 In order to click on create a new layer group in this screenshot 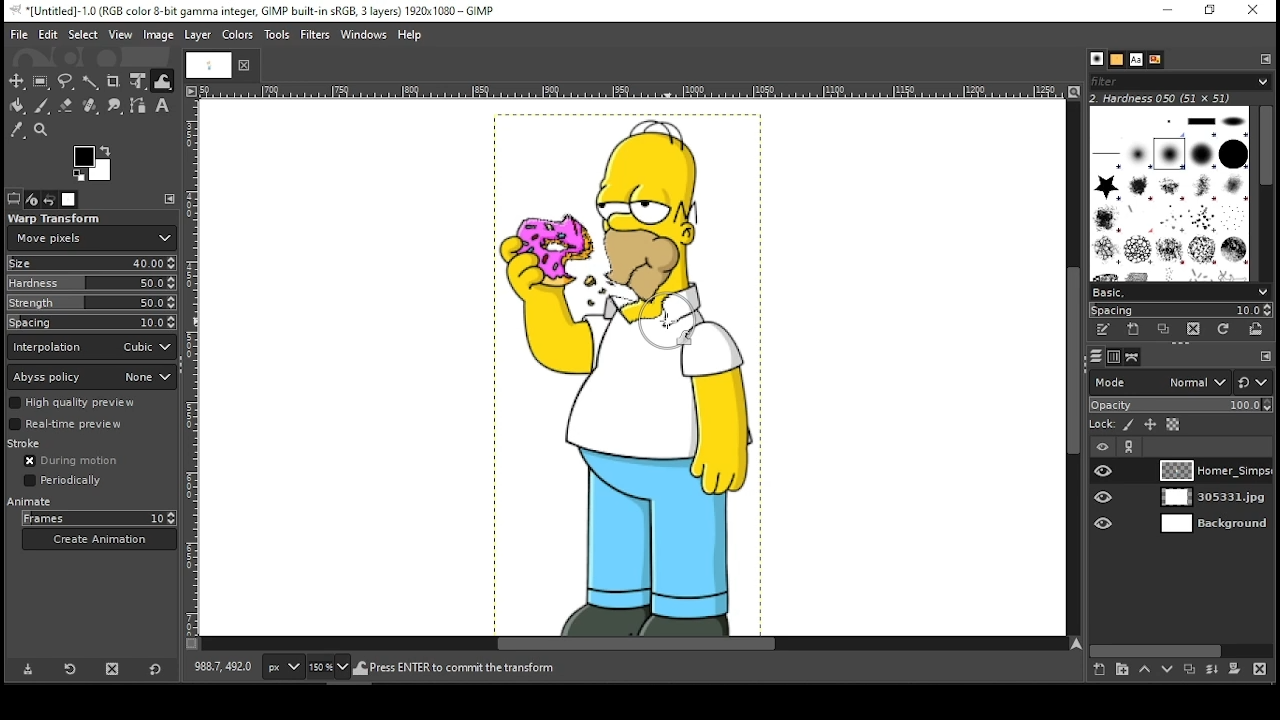, I will do `click(1124, 671)`.